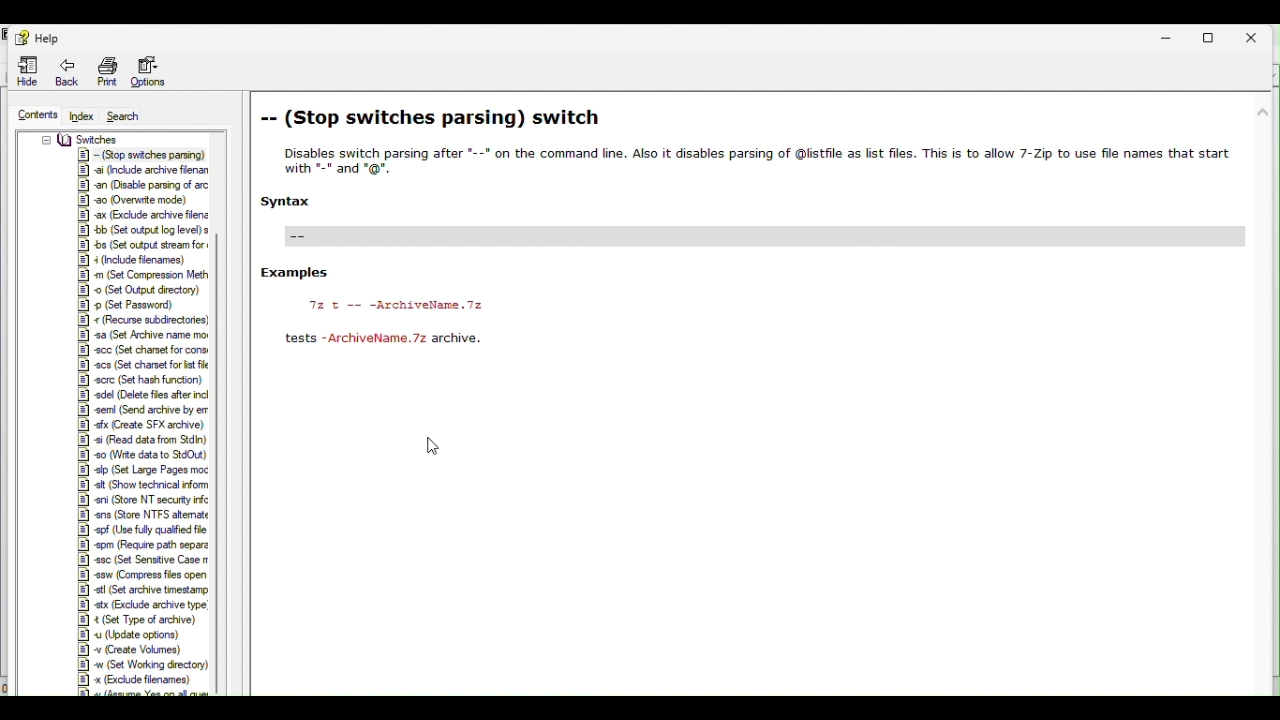 This screenshot has width=1280, height=720. What do you see at coordinates (1208, 39) in the screenshot?
I see `Restore` at bounding box center [1208, 39].